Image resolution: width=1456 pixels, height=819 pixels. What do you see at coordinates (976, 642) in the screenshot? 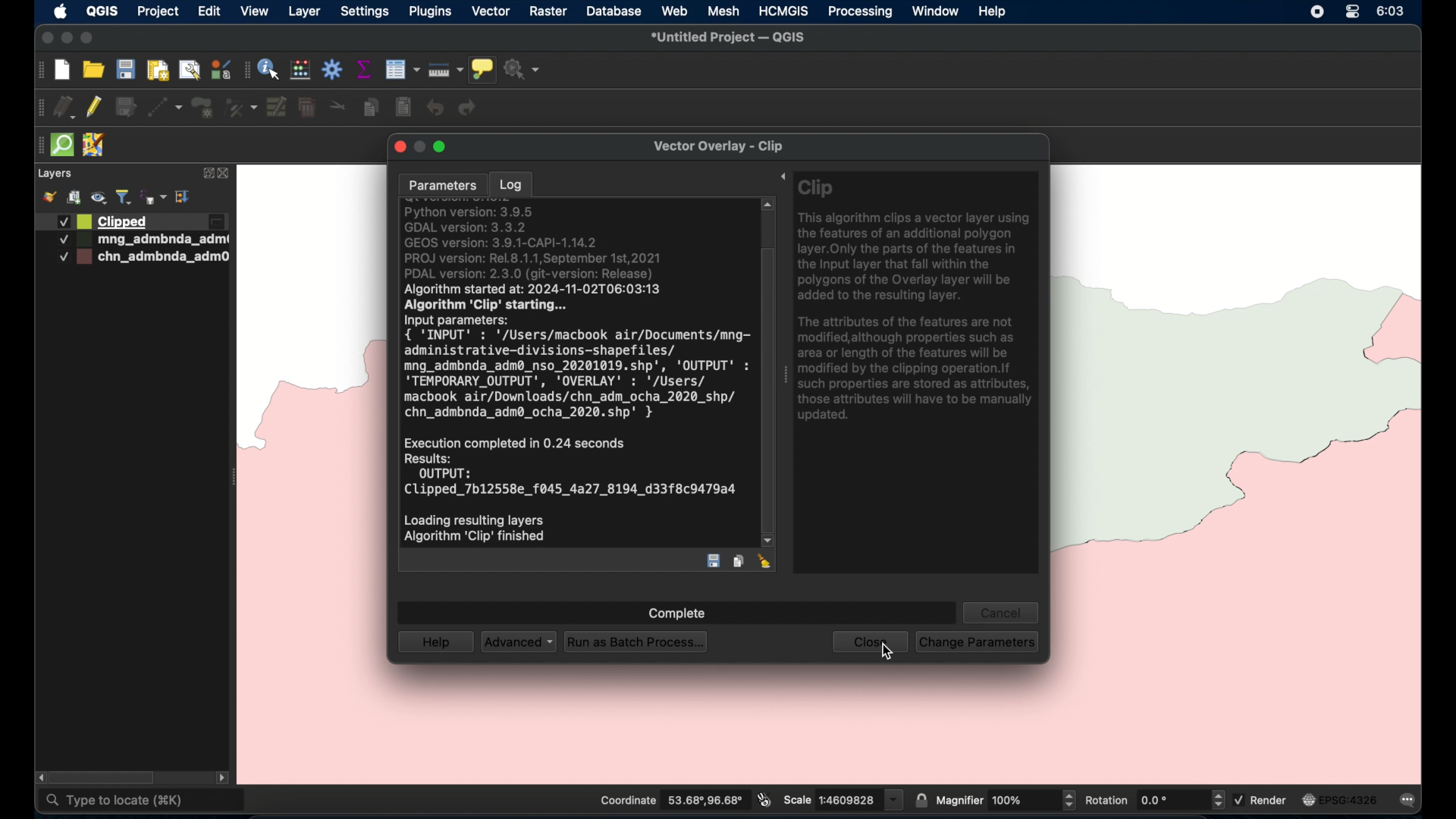
I see `change parameters` at bounding box center [976, 642].